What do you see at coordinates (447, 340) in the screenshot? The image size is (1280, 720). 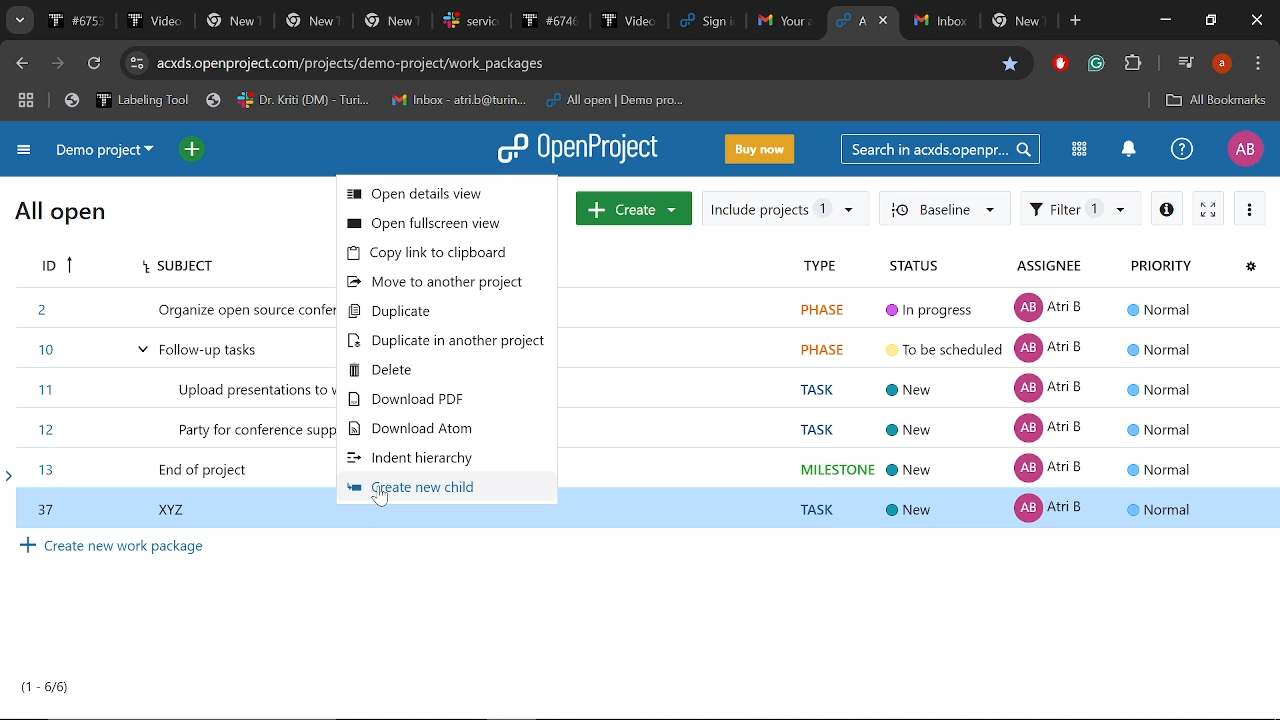 I see `Duplicate in another project` at bounding box center [447, 340].